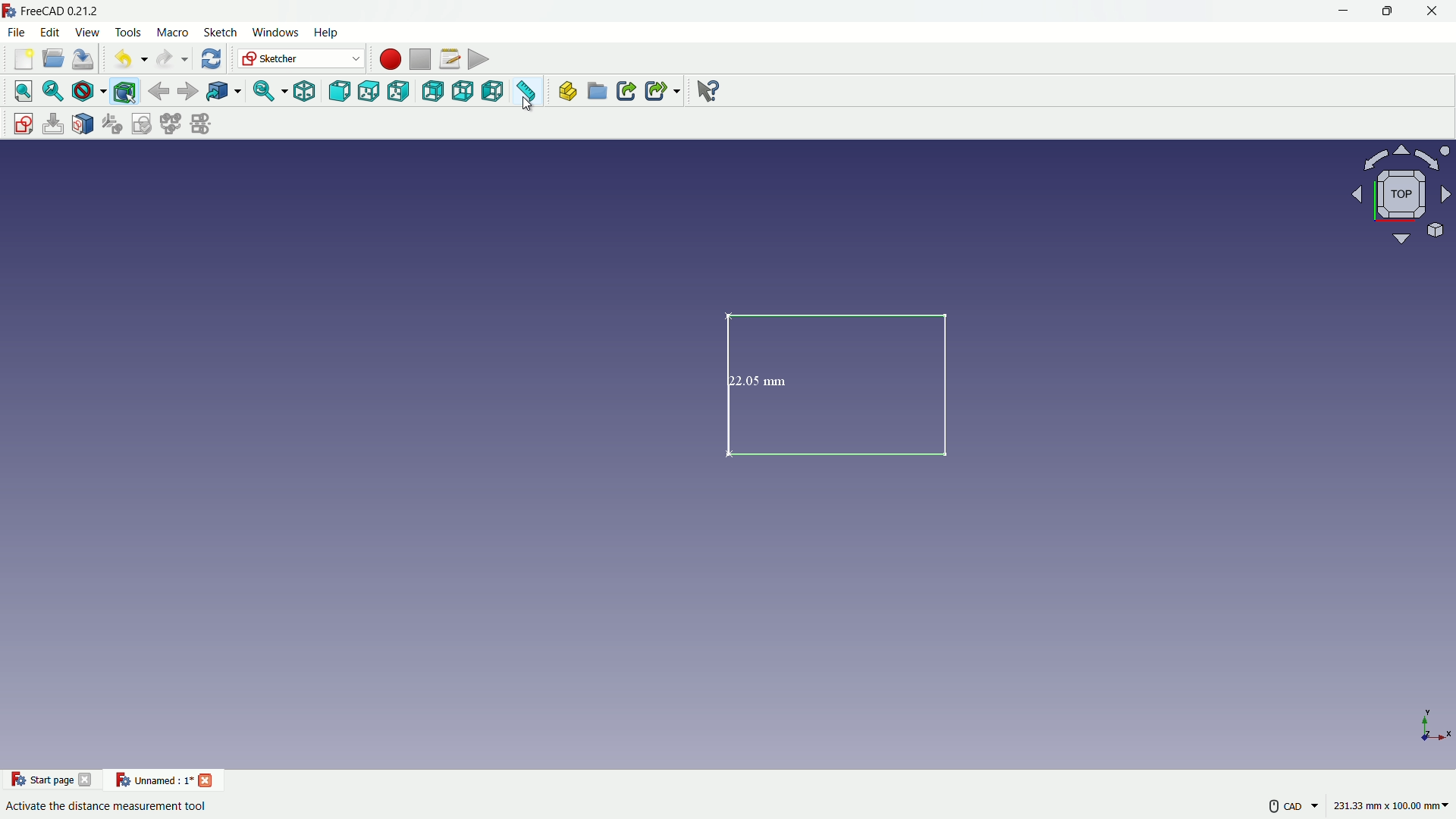 Image resolution: width=1456 pixels, height=819 pixels. Describe the element at coordinates (18, 33) in the screenshot. I see `file menu` at that location.